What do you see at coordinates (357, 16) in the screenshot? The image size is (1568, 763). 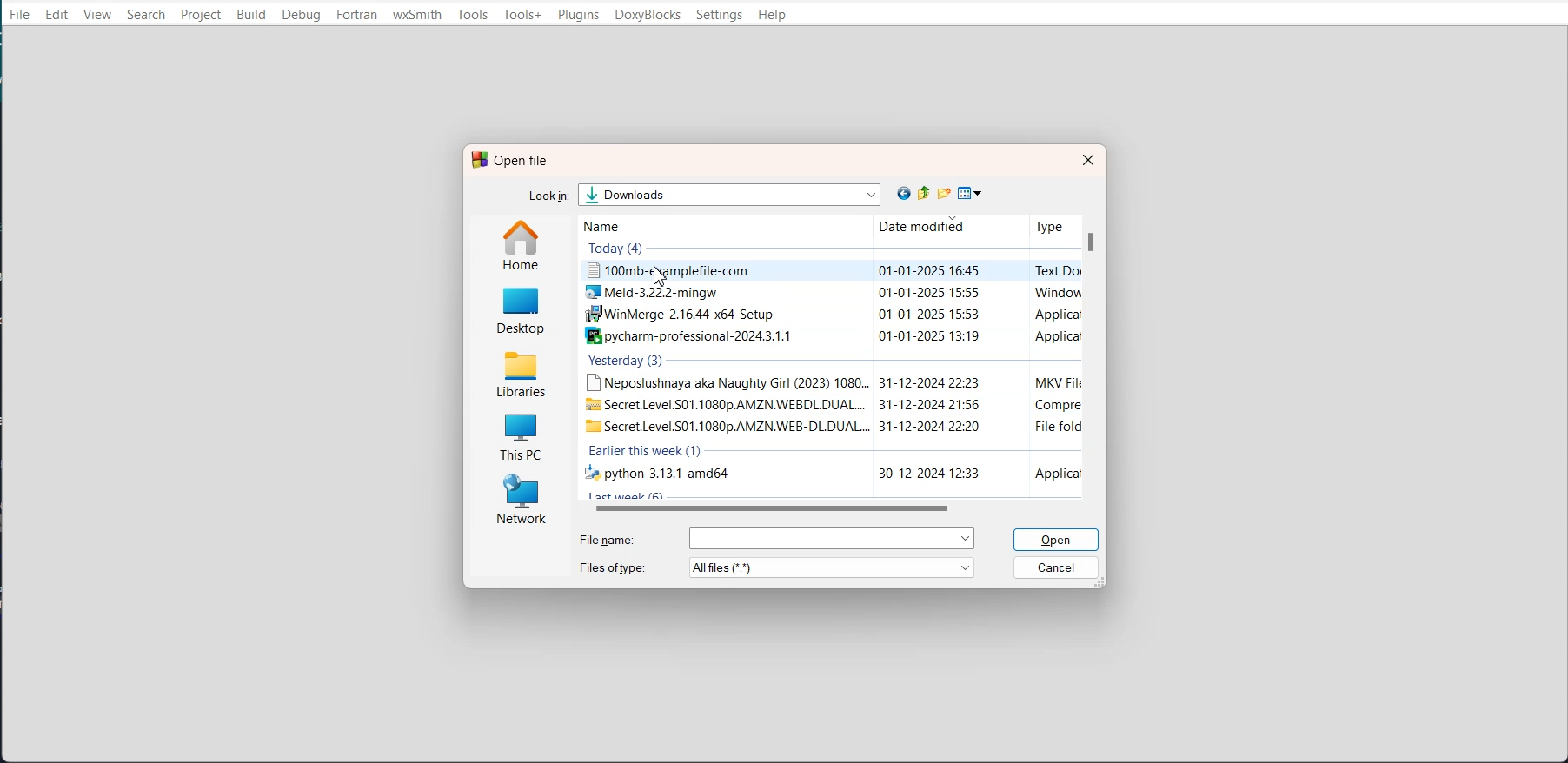 I see `Fortran` at bounding box center [357, 16].